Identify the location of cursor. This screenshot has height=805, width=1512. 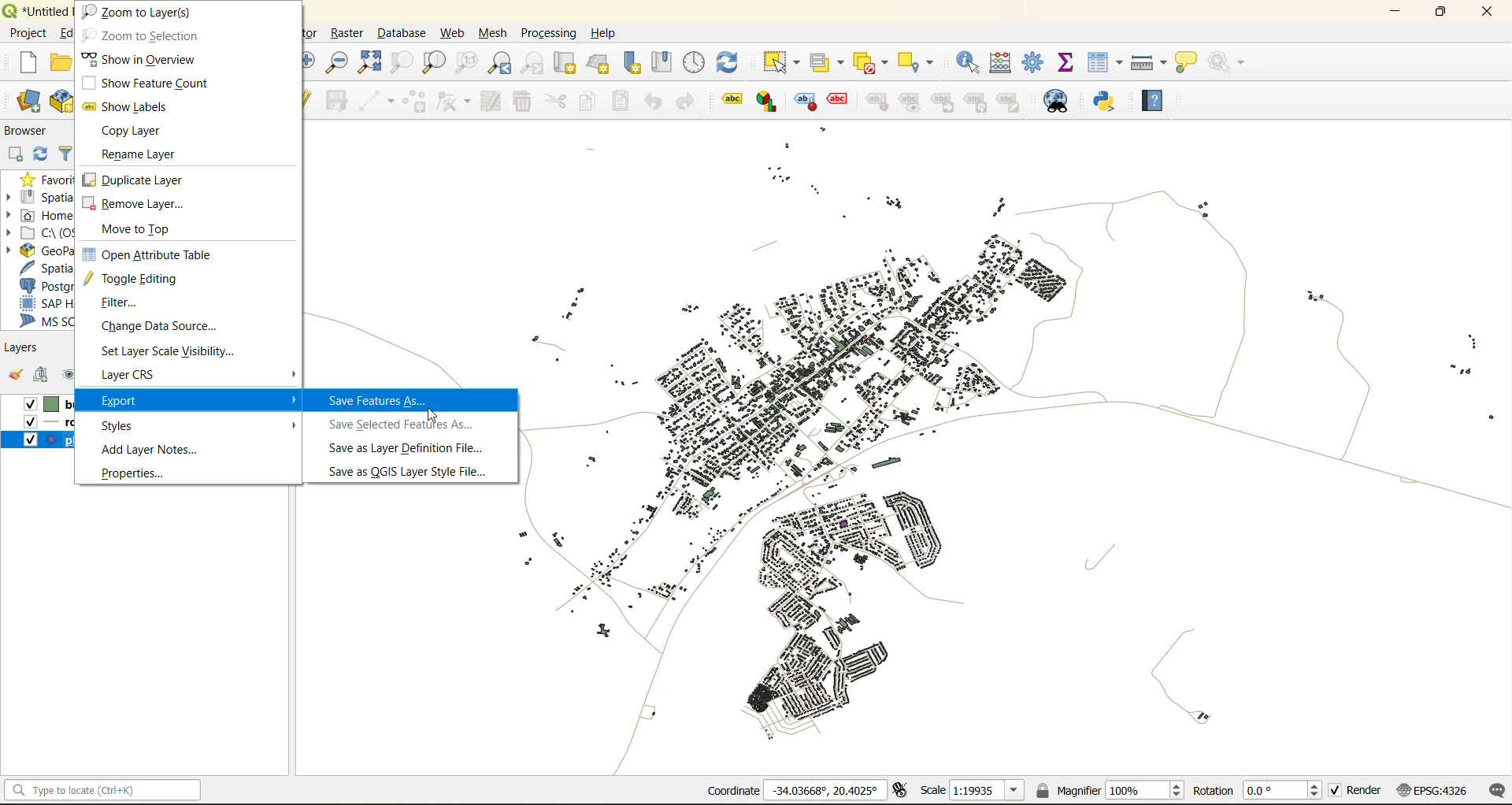
(435, 417).